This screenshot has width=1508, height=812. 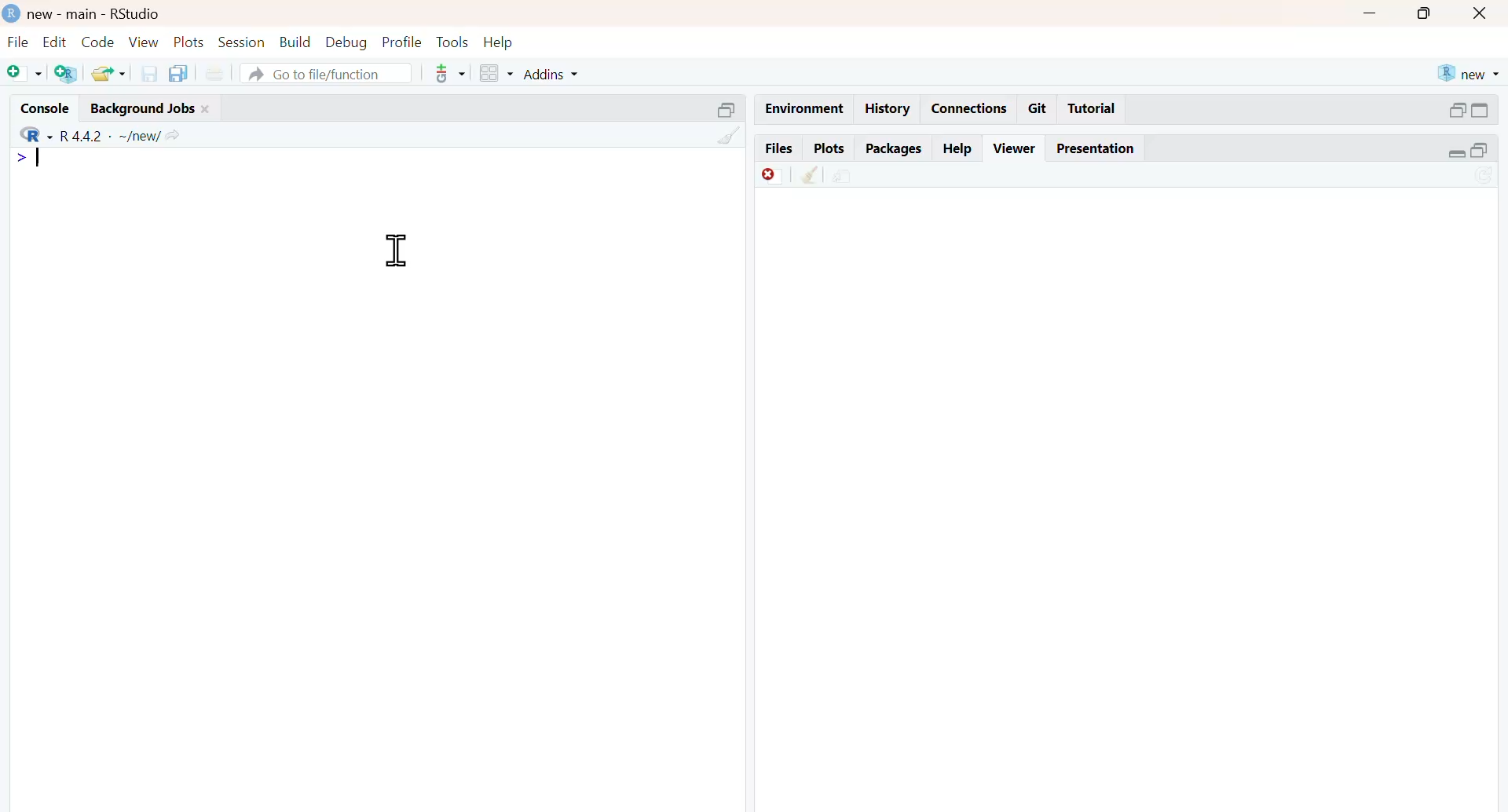 What do you see at coordinates (243, 43) in the screenshot?
I see `session` at bounding box center [243, 43].